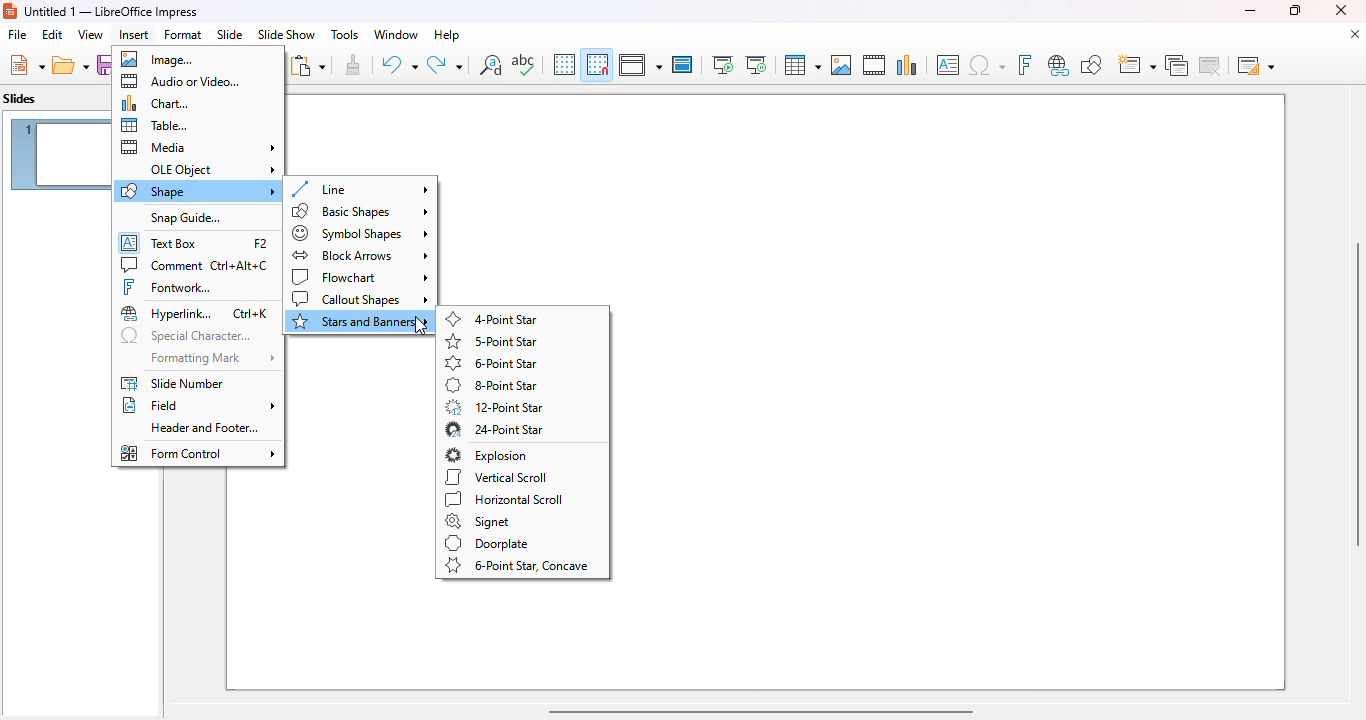  Describe the element at coordinates (399, 65) in the screenshot. I see `undo` at that location.